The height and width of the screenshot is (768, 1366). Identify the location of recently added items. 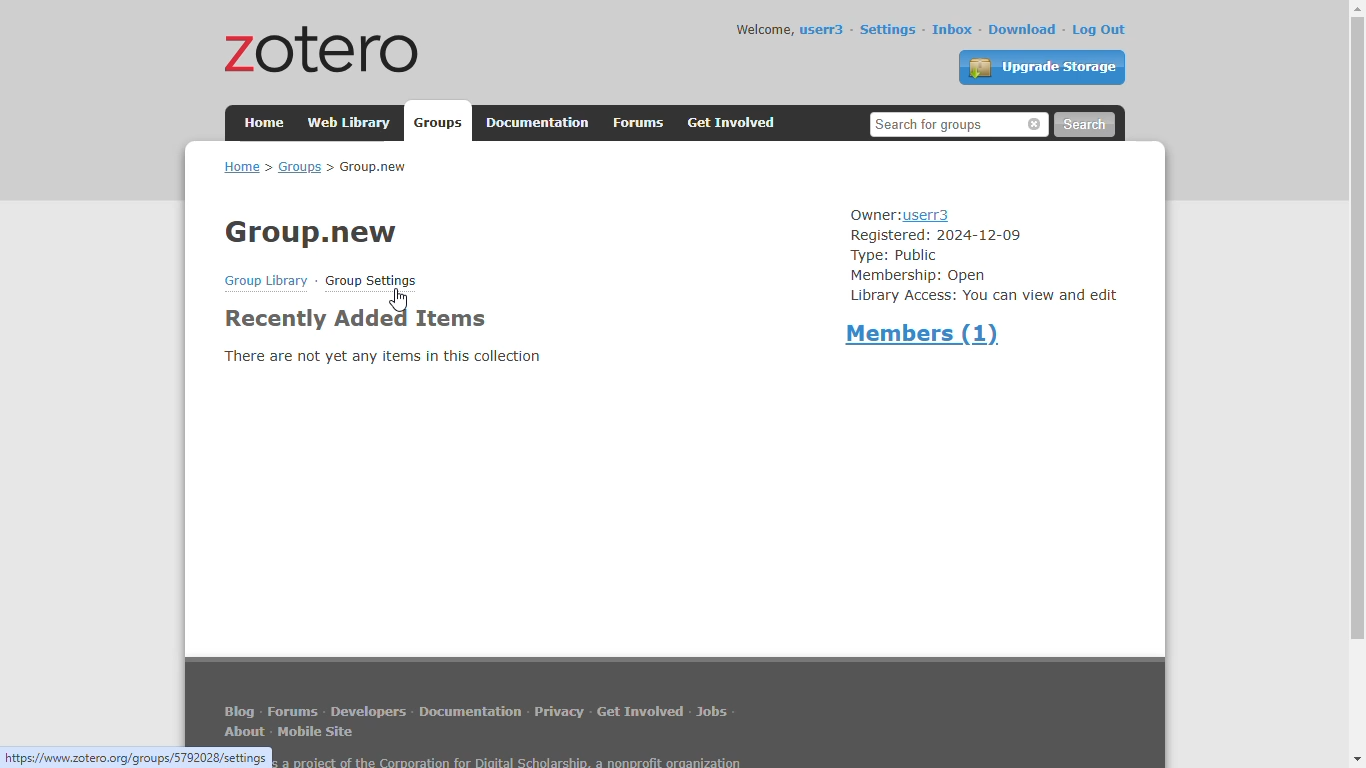
(354, 319).